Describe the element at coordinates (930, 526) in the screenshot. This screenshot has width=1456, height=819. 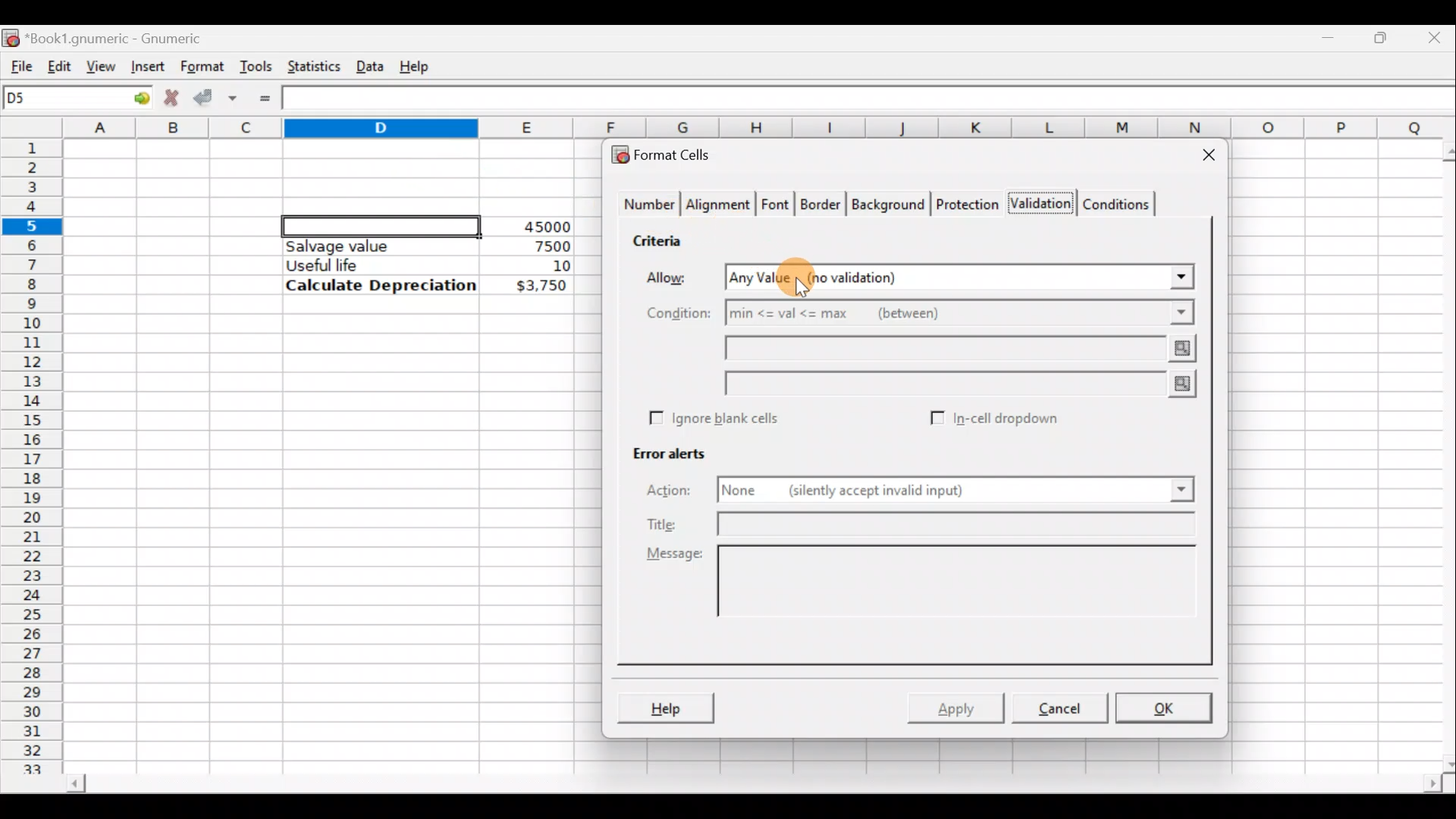
I see `Title` at that location.